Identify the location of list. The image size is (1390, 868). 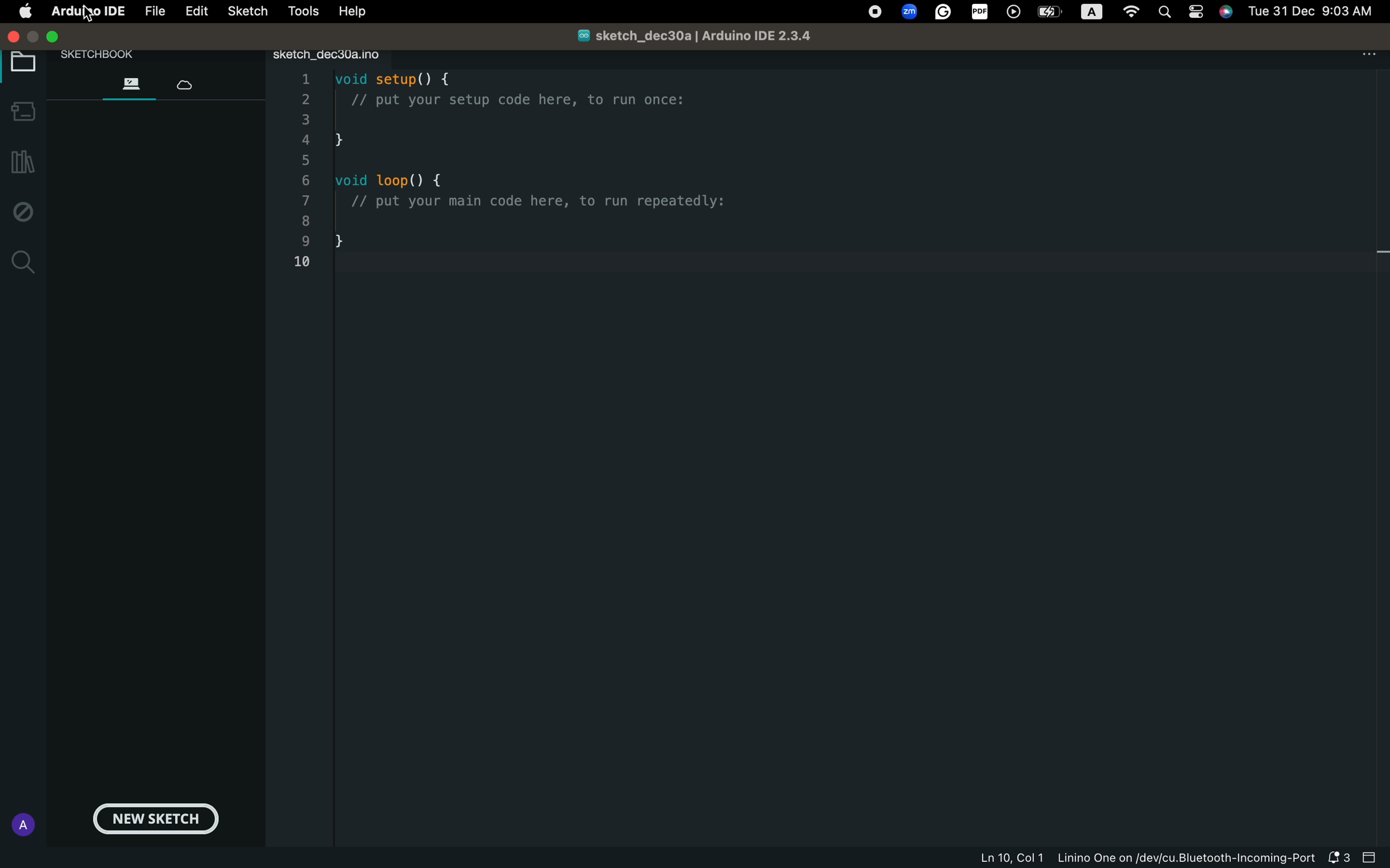
(307, 173).